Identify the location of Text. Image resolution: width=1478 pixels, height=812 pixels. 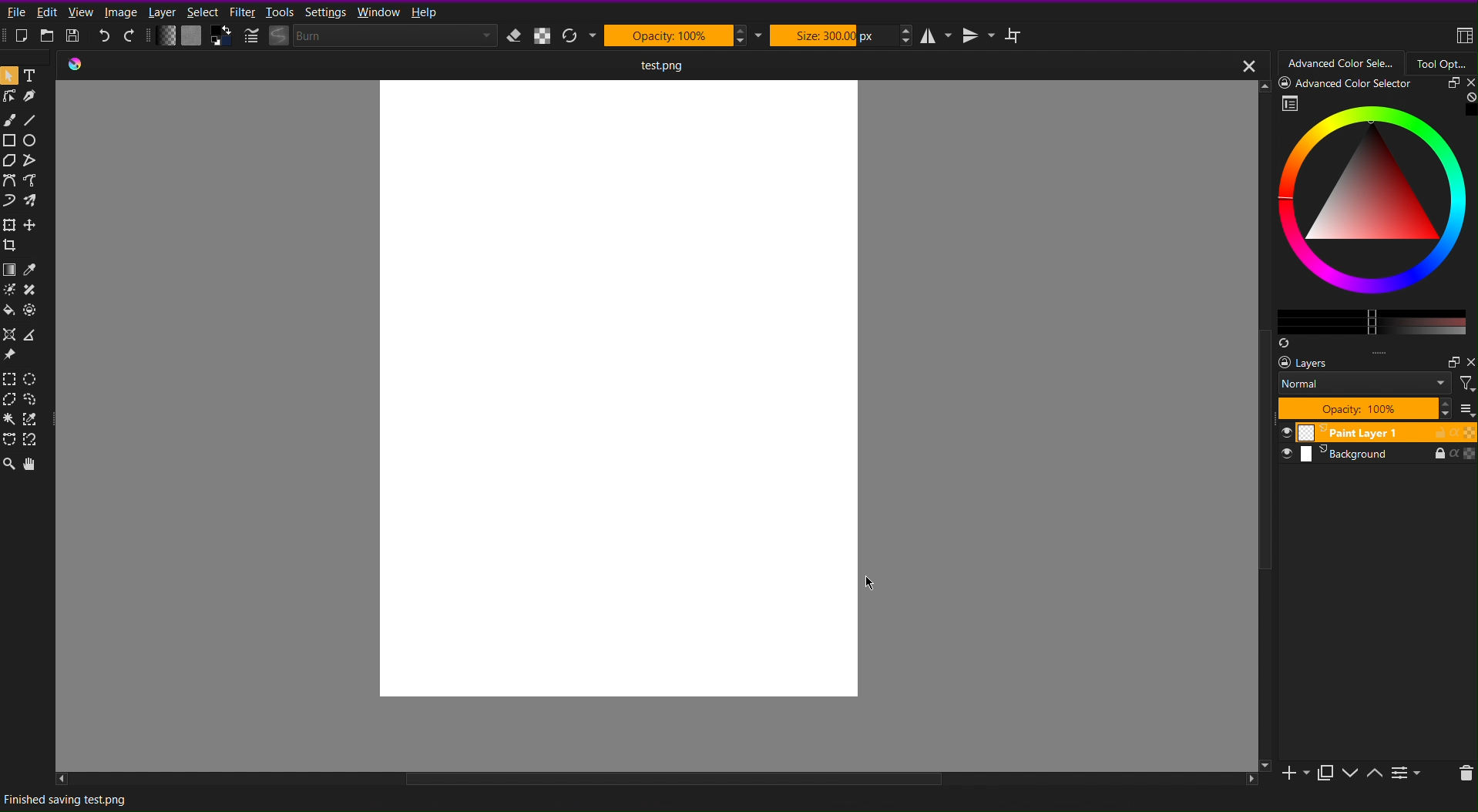
(32, 77).